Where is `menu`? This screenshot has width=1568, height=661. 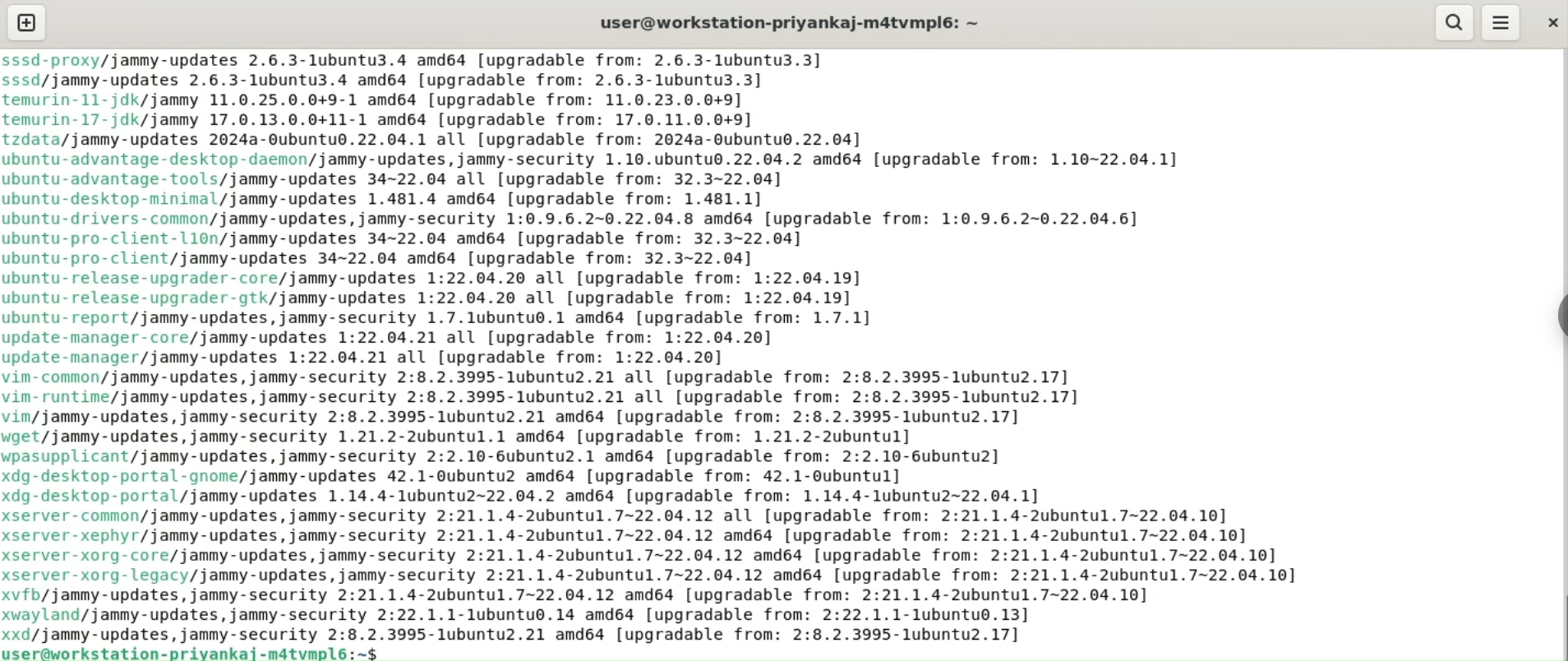
menu is located at coordinates (1500, 21).